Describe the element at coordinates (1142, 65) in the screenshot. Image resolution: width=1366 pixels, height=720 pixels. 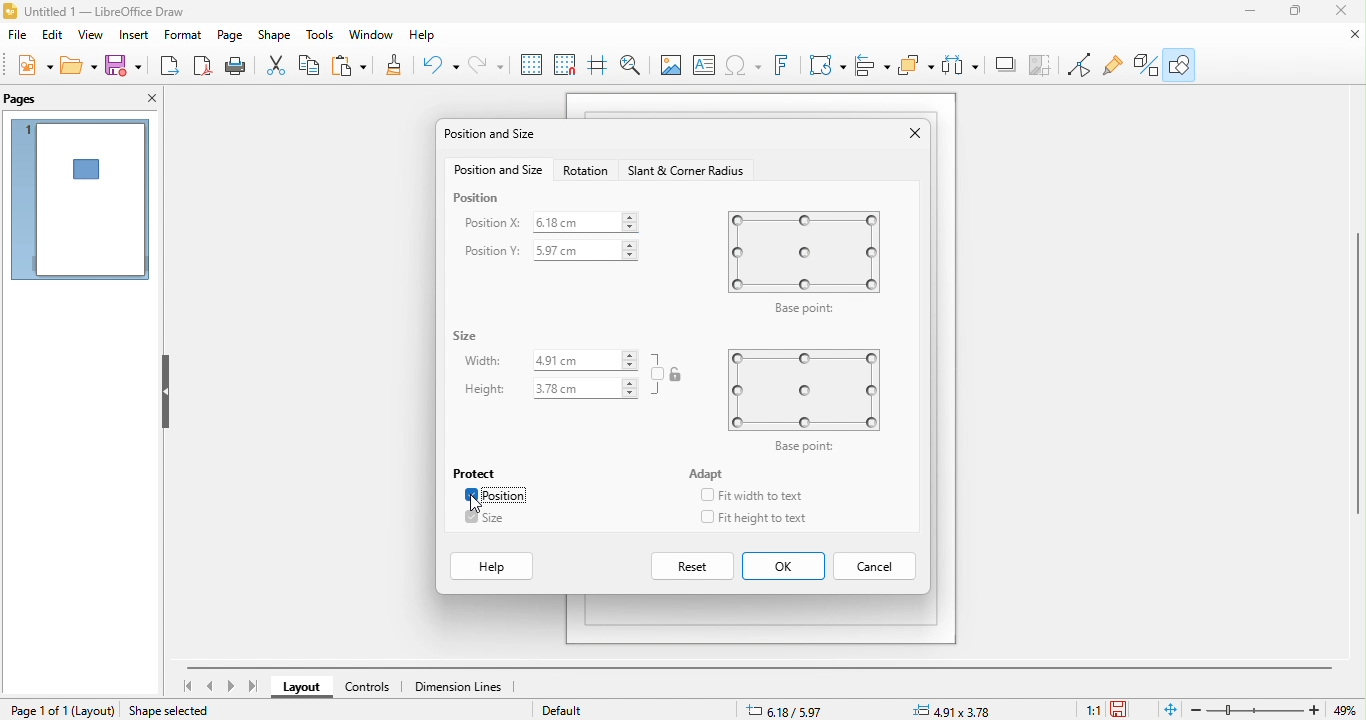
I see `toggle extrusion` at that location.